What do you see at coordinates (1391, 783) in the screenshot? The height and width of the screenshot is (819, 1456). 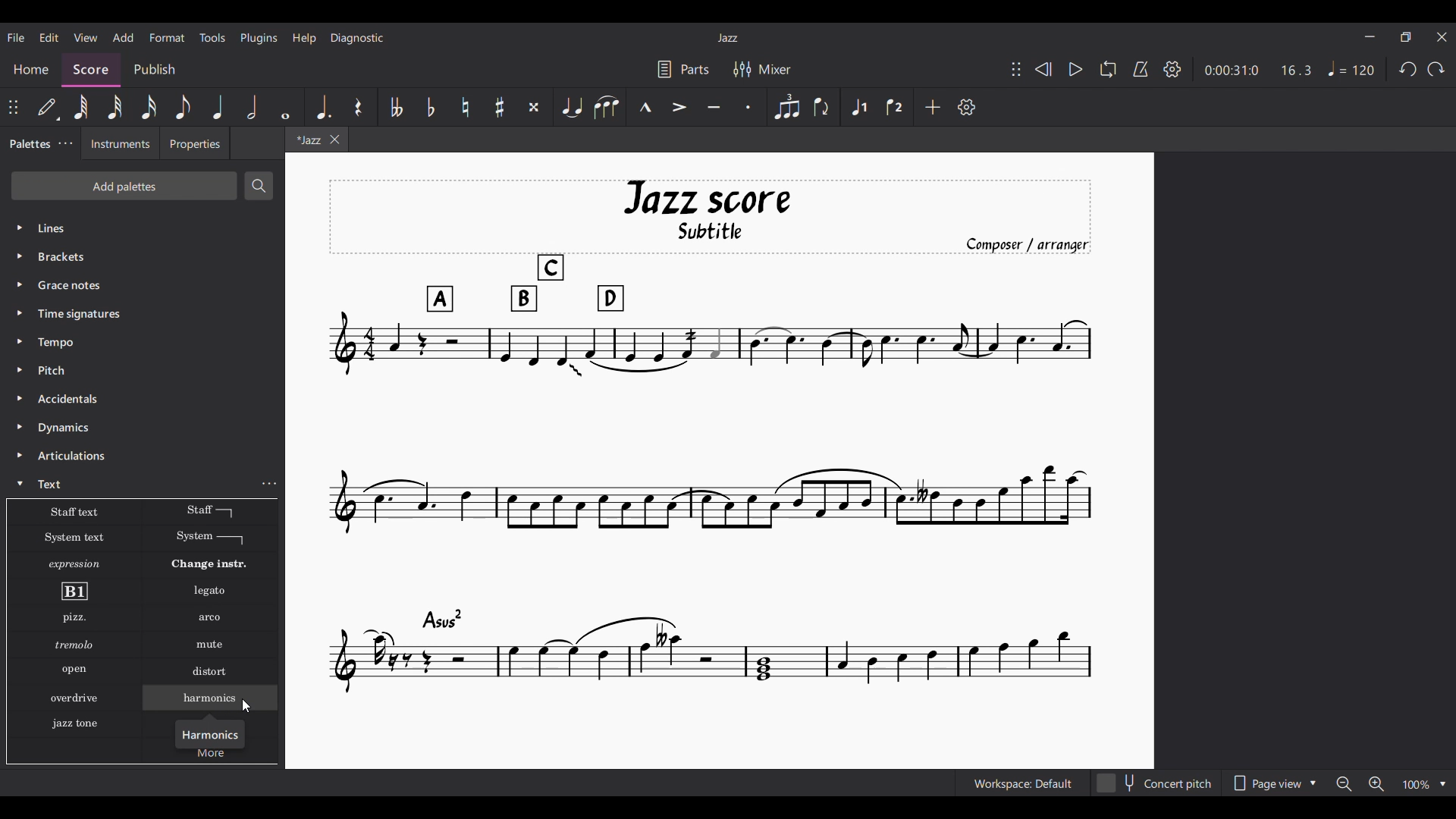 I see `Zoom options` at bounding box center [1391, 783].